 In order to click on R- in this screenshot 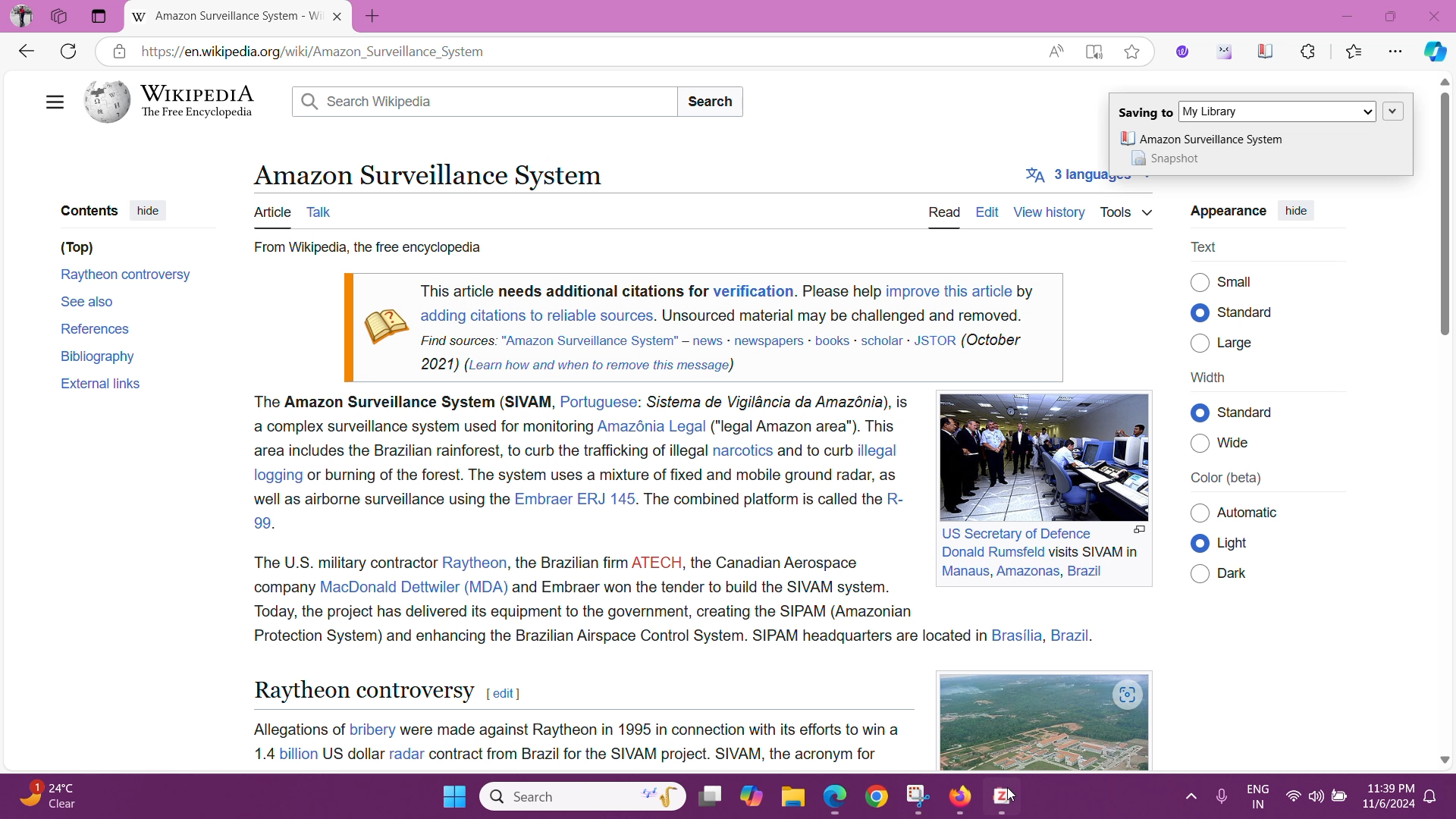, I will do `click(895, 500)`.